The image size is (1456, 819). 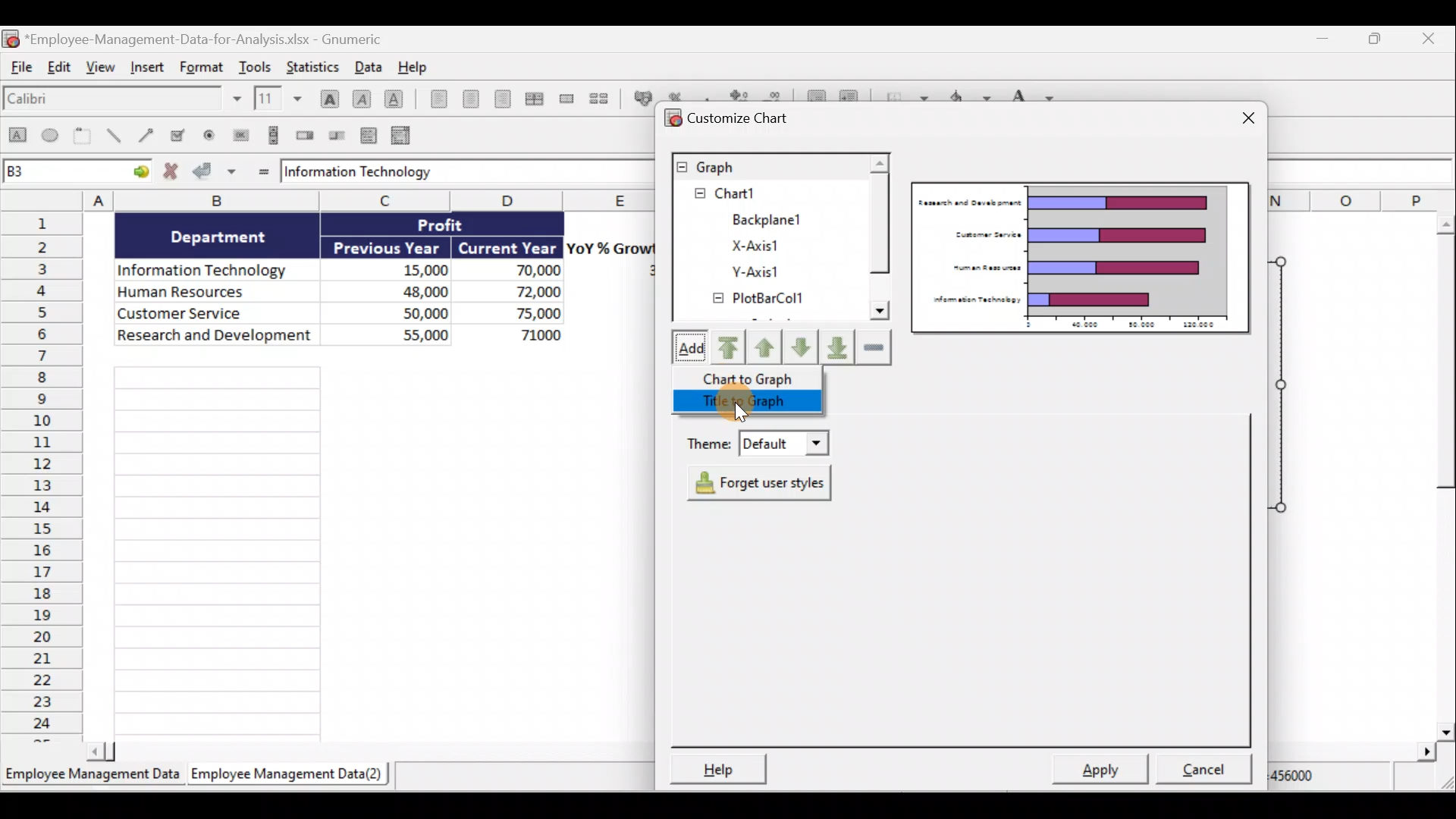 I want to click on Y-axis1, so click(x=752, y=271).